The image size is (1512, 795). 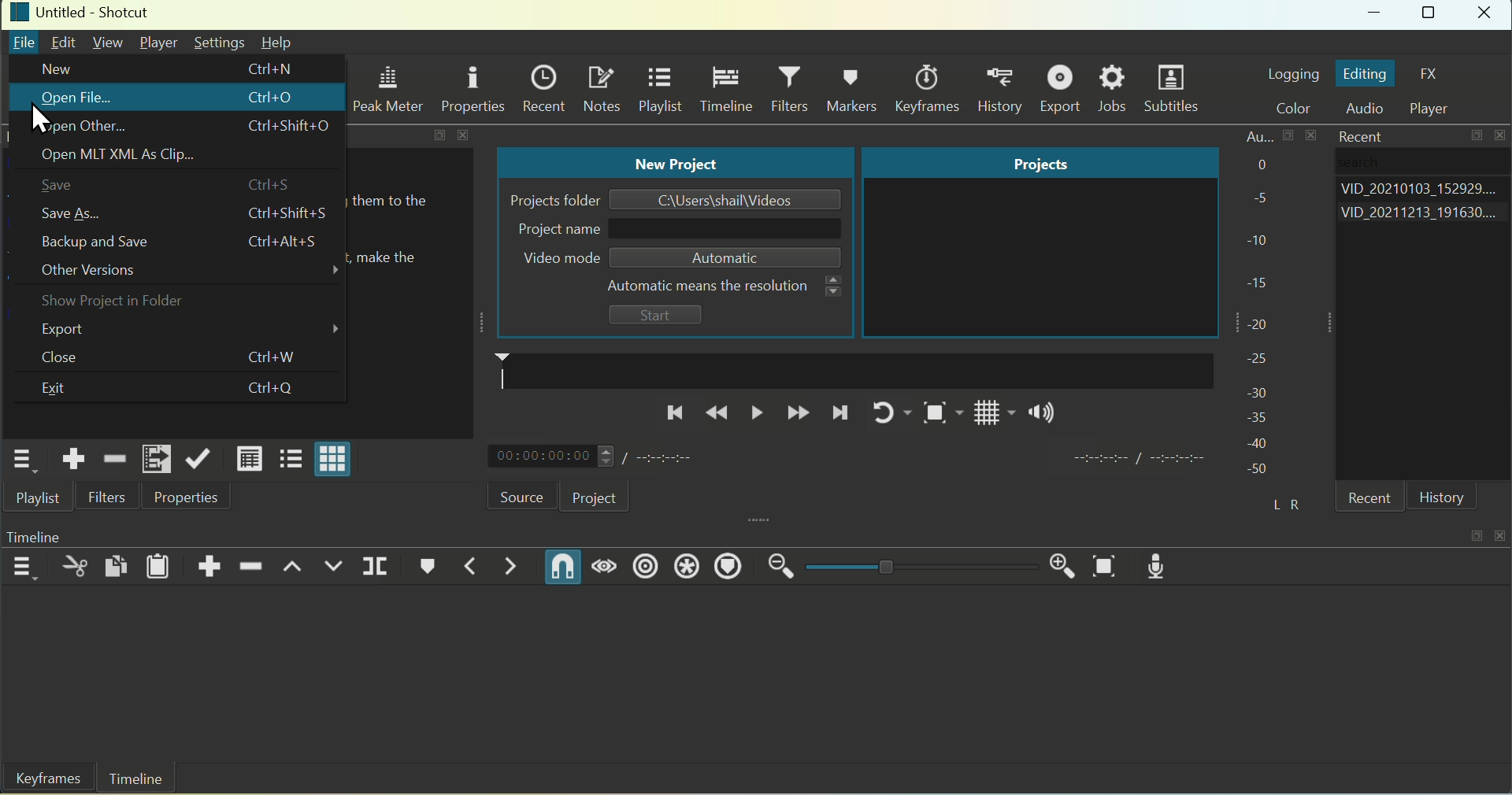 I want to click on New project, so click(x=678, y=163).